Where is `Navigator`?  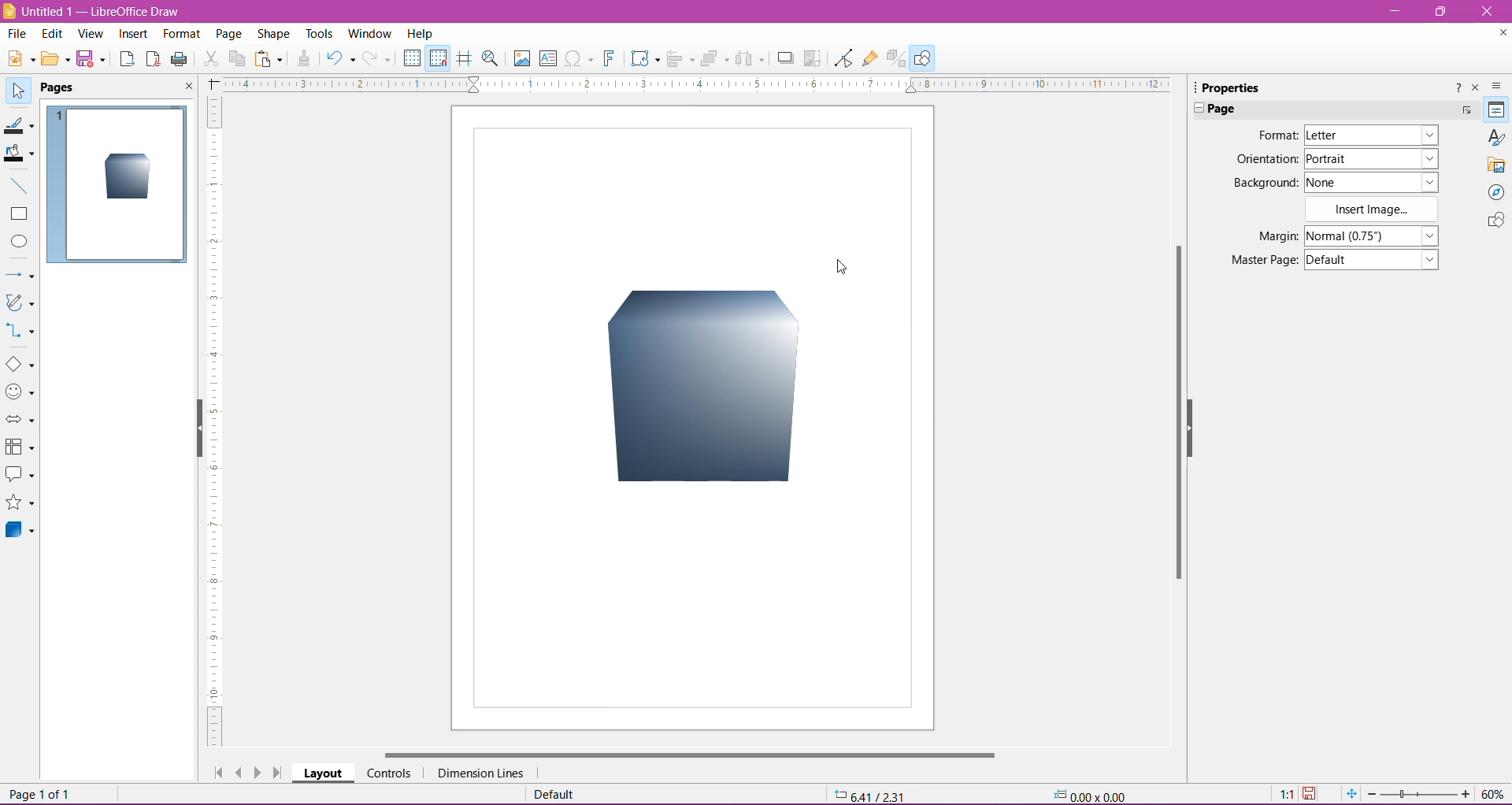 Navigator is located at coordinates (1495, 192).